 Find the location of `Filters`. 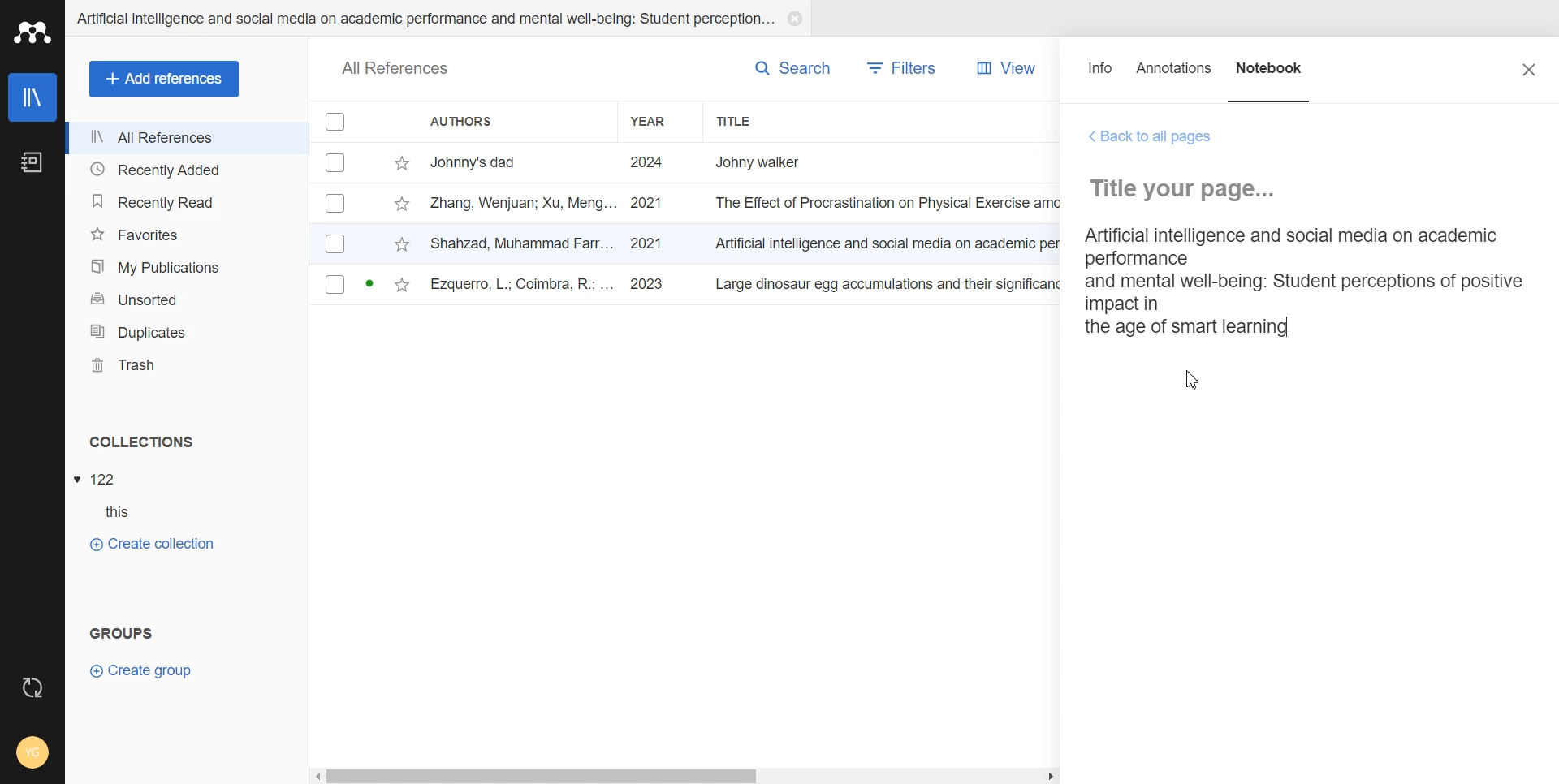

Filters is located at coordinates (903, 68).